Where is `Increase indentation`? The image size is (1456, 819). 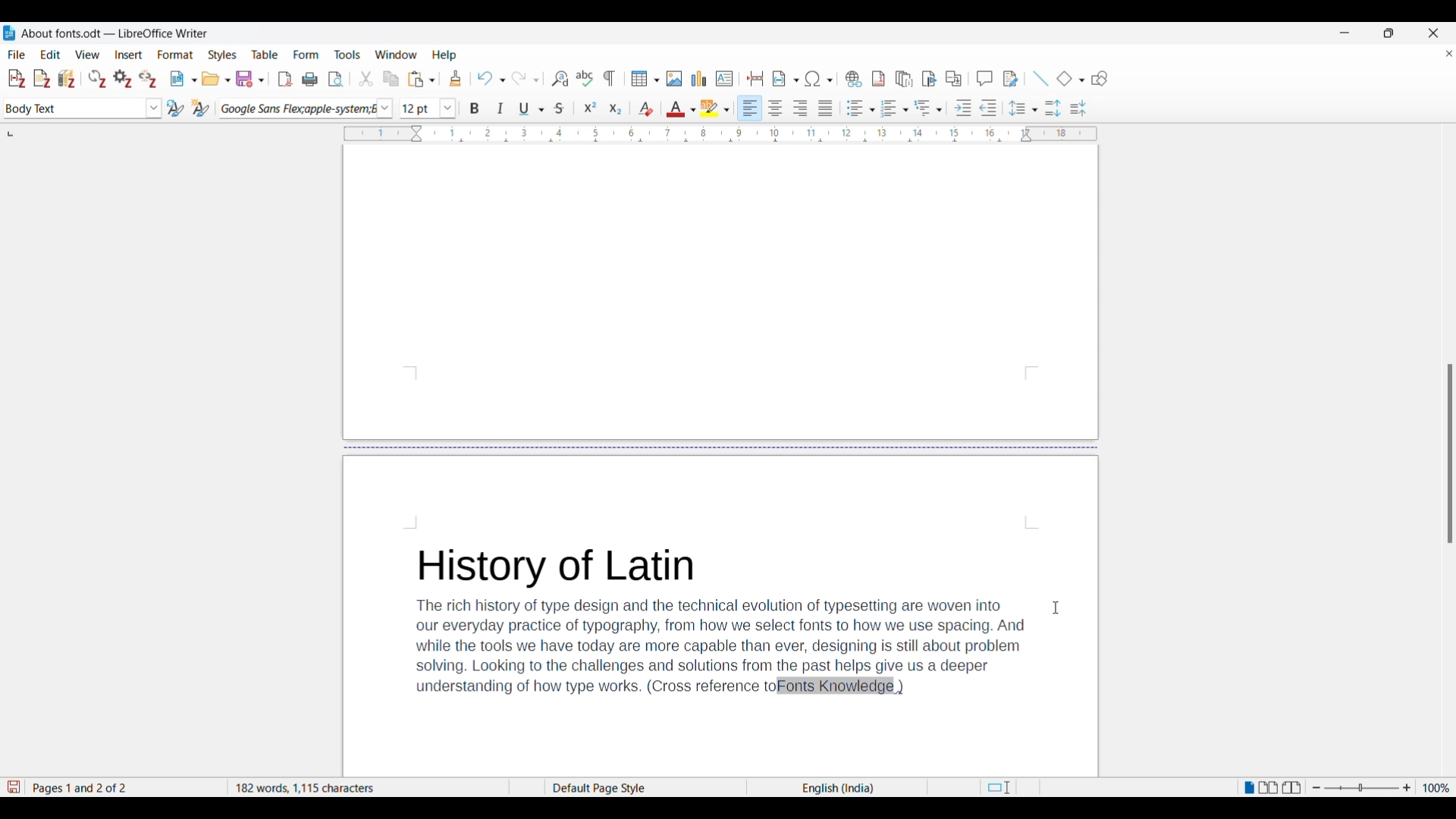
Increase indentation is located at coordinates (963, 108).